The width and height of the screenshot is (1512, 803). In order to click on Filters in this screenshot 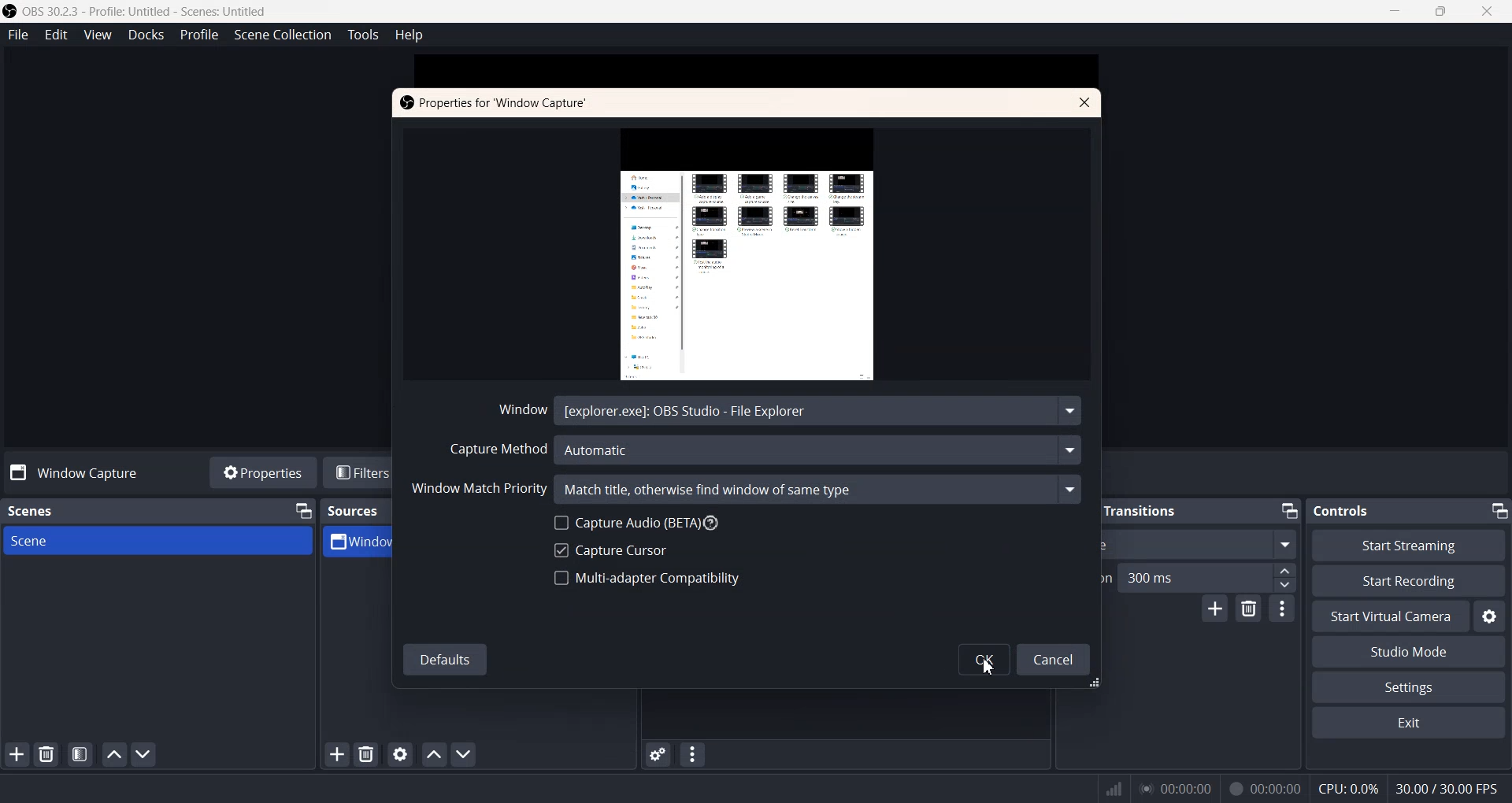, I will do `click(360, 472)`.